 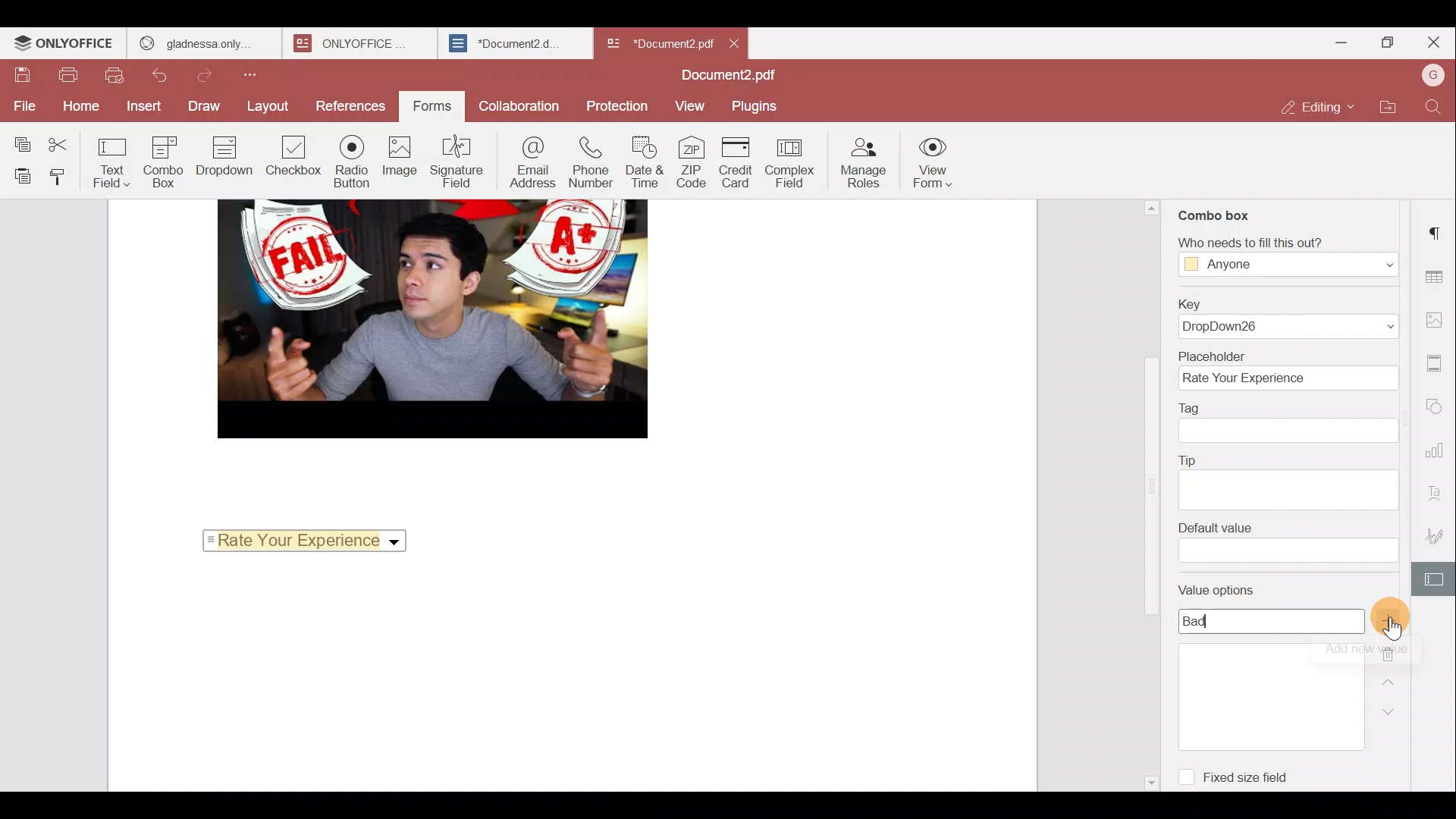 I want to click on Editing mode, so click(x=1316, y=108).